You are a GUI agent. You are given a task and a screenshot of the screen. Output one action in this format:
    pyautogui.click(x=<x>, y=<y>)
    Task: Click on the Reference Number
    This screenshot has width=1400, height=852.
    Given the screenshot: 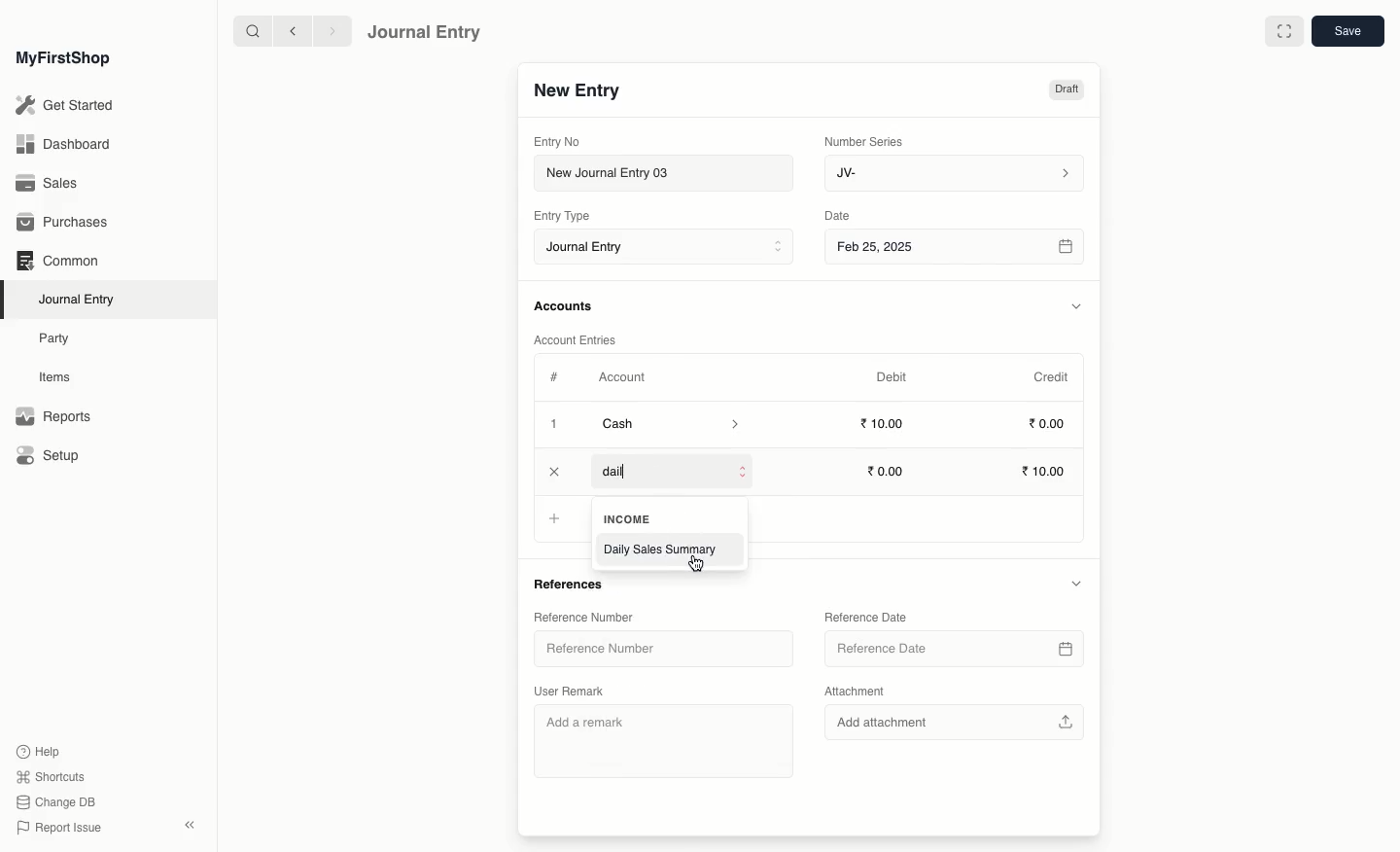 What is the action you would take?
    pyautogui.click(x=608, y=652)
    